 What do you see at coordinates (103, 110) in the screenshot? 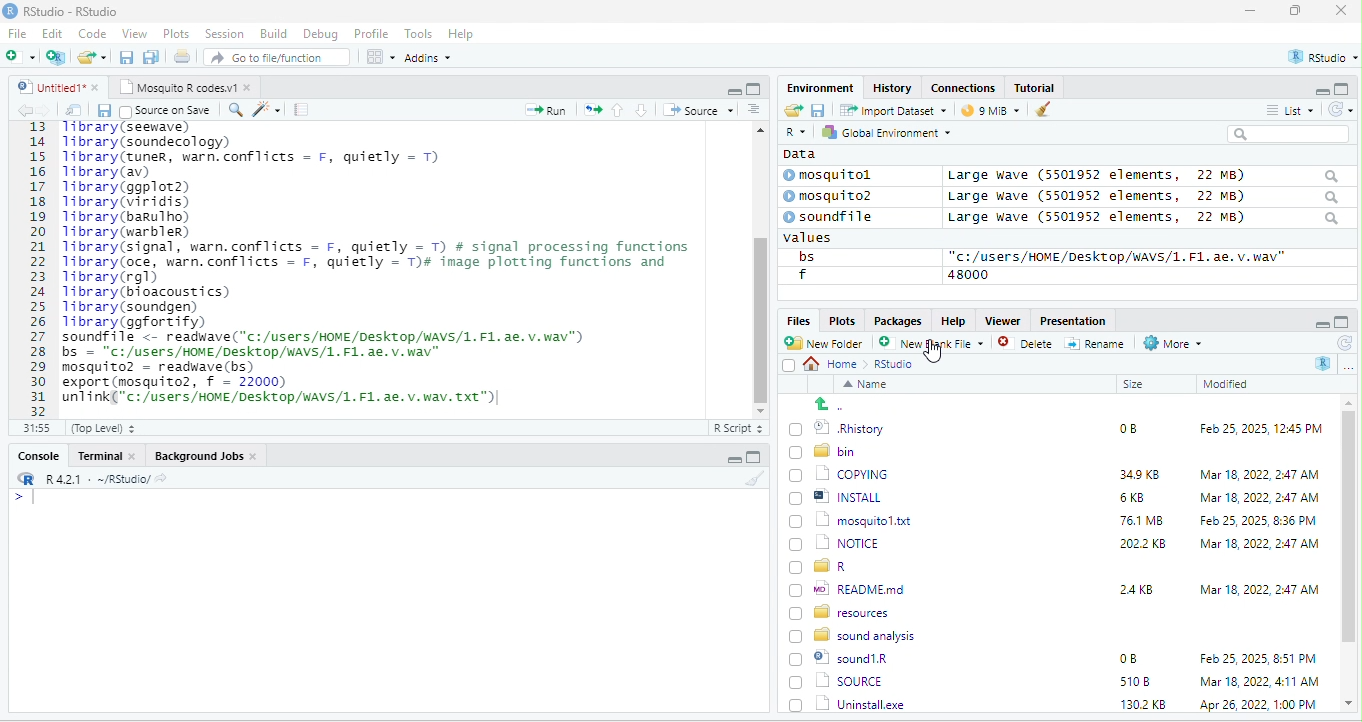
I see `save` at bounding box center [103, 110].